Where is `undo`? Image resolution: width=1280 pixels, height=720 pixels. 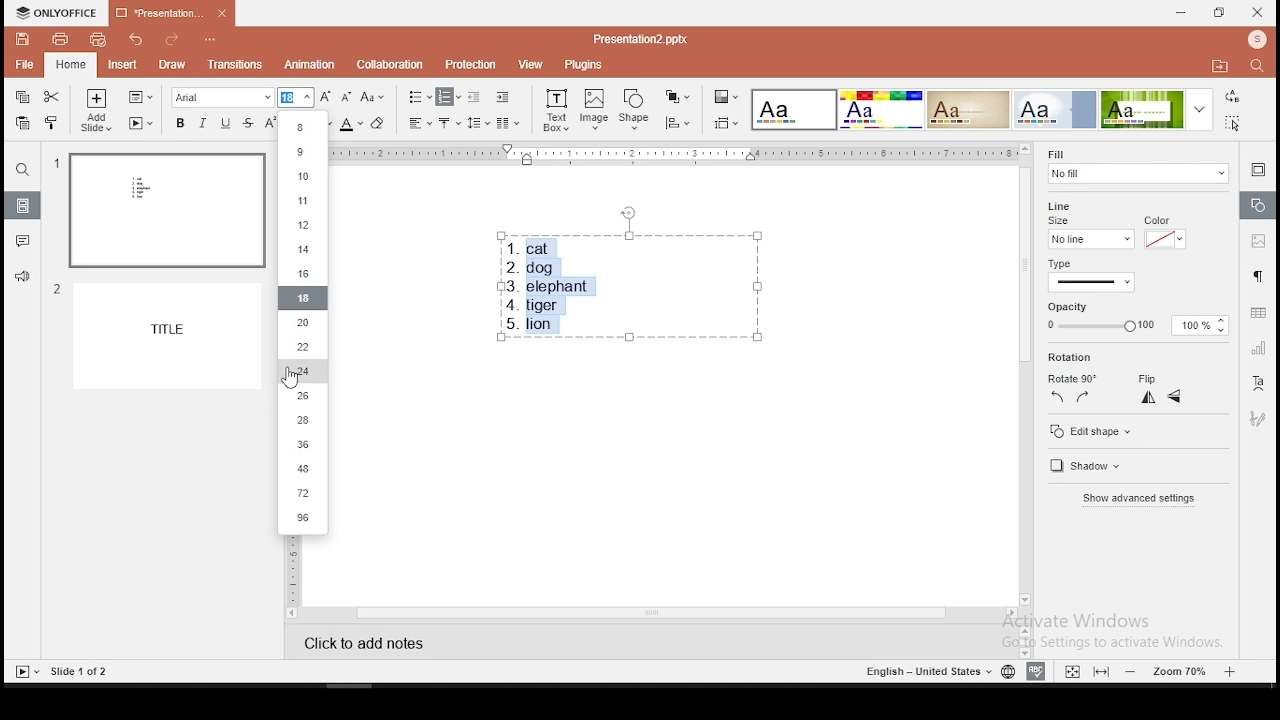 undo is located at coordinates (136, 39).